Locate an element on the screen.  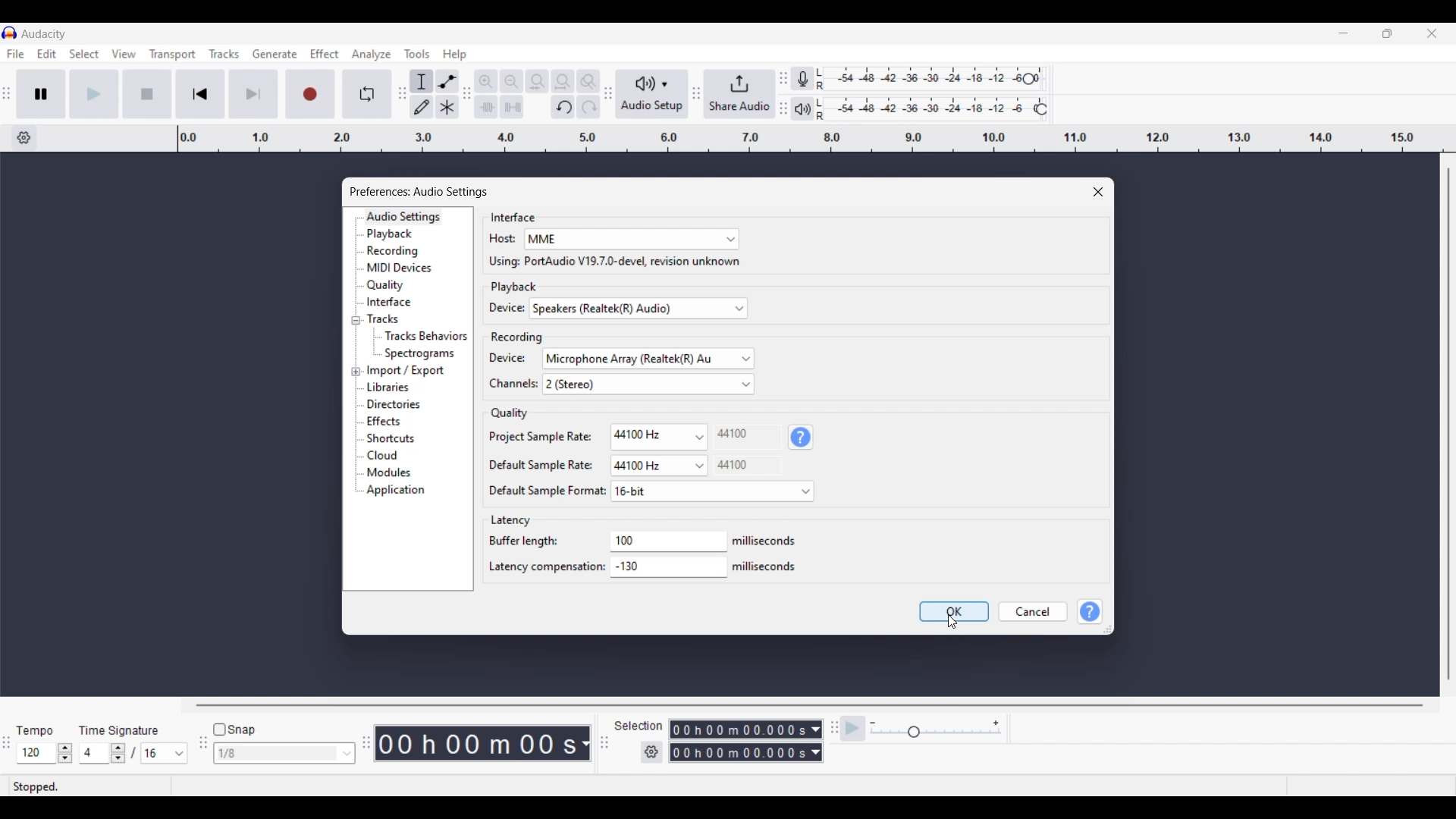
Recording level is located at coordinates (929, 80).